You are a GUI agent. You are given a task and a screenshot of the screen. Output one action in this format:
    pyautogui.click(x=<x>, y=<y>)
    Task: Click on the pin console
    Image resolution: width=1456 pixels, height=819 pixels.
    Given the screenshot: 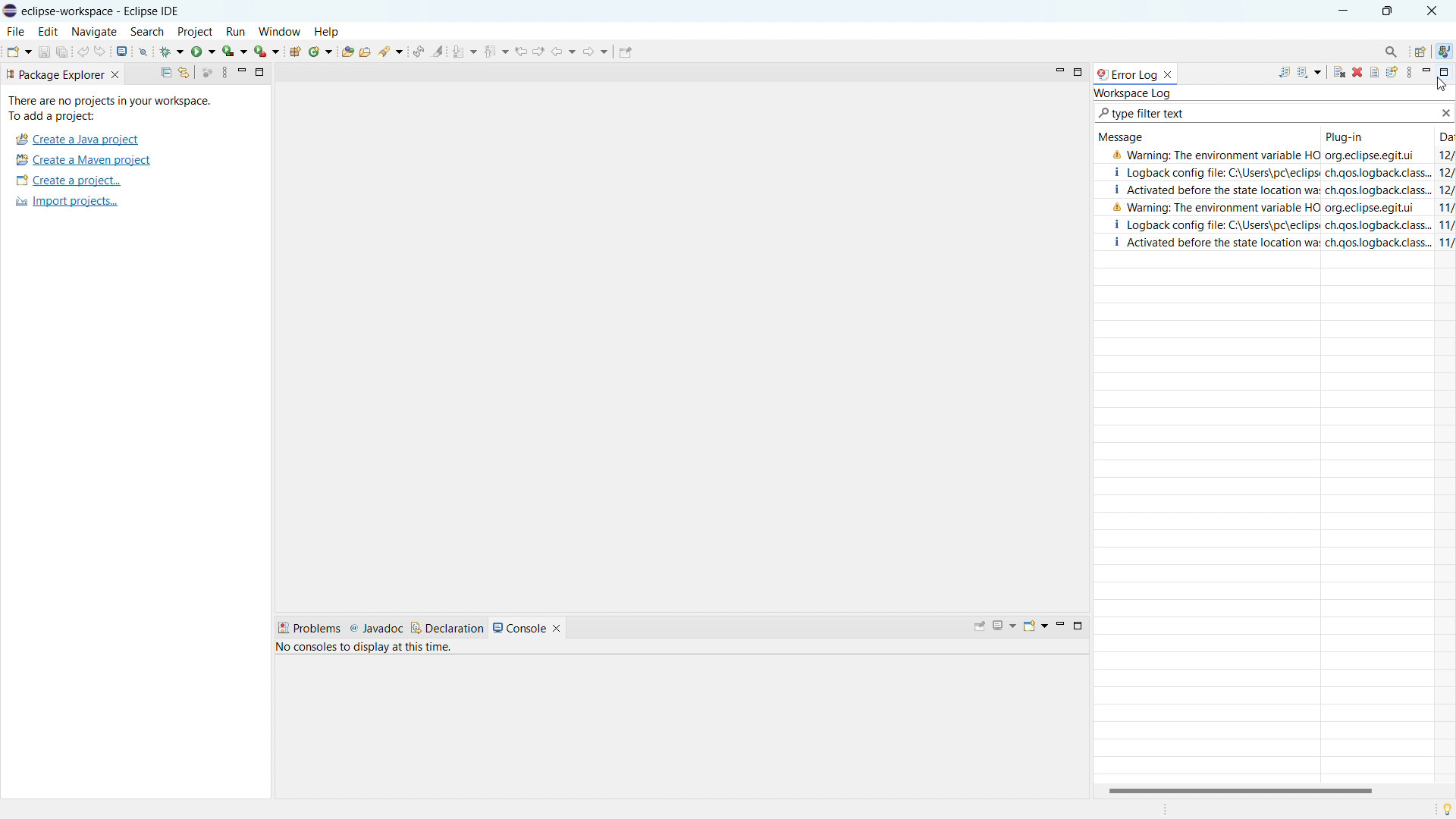 What is the action you would take?
    pyautogui.click(x=979, y=626)
    